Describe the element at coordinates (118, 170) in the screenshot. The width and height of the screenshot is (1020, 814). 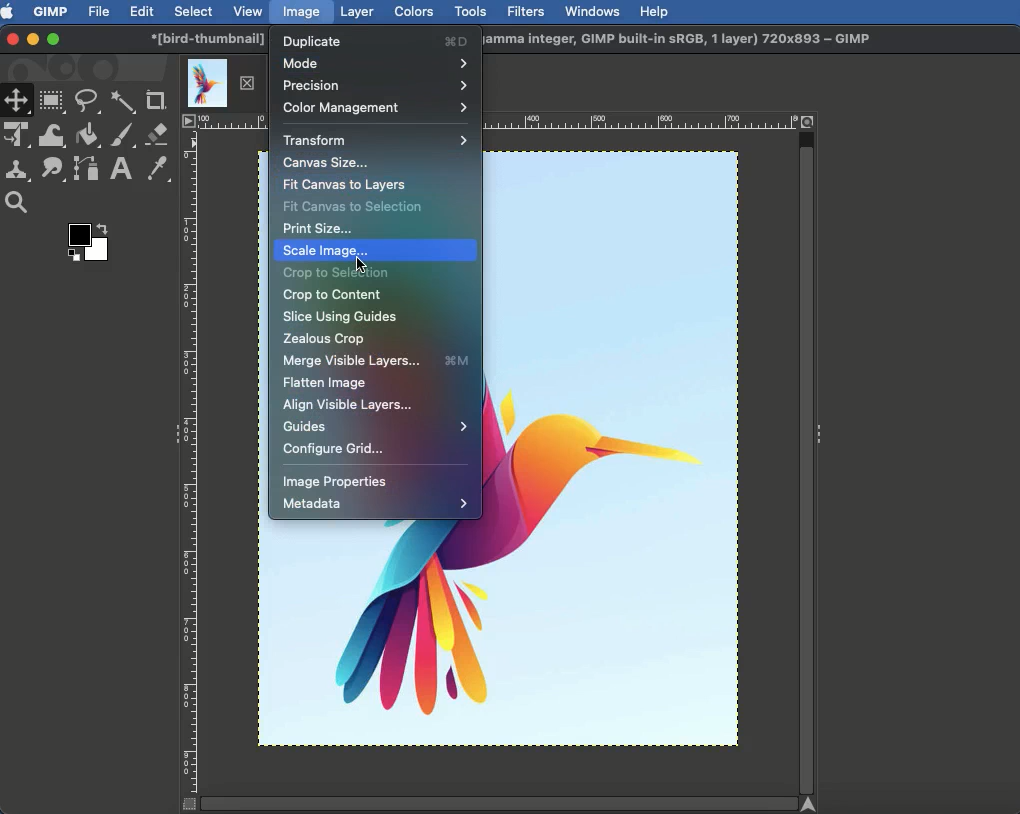
I see `Text` at that location.